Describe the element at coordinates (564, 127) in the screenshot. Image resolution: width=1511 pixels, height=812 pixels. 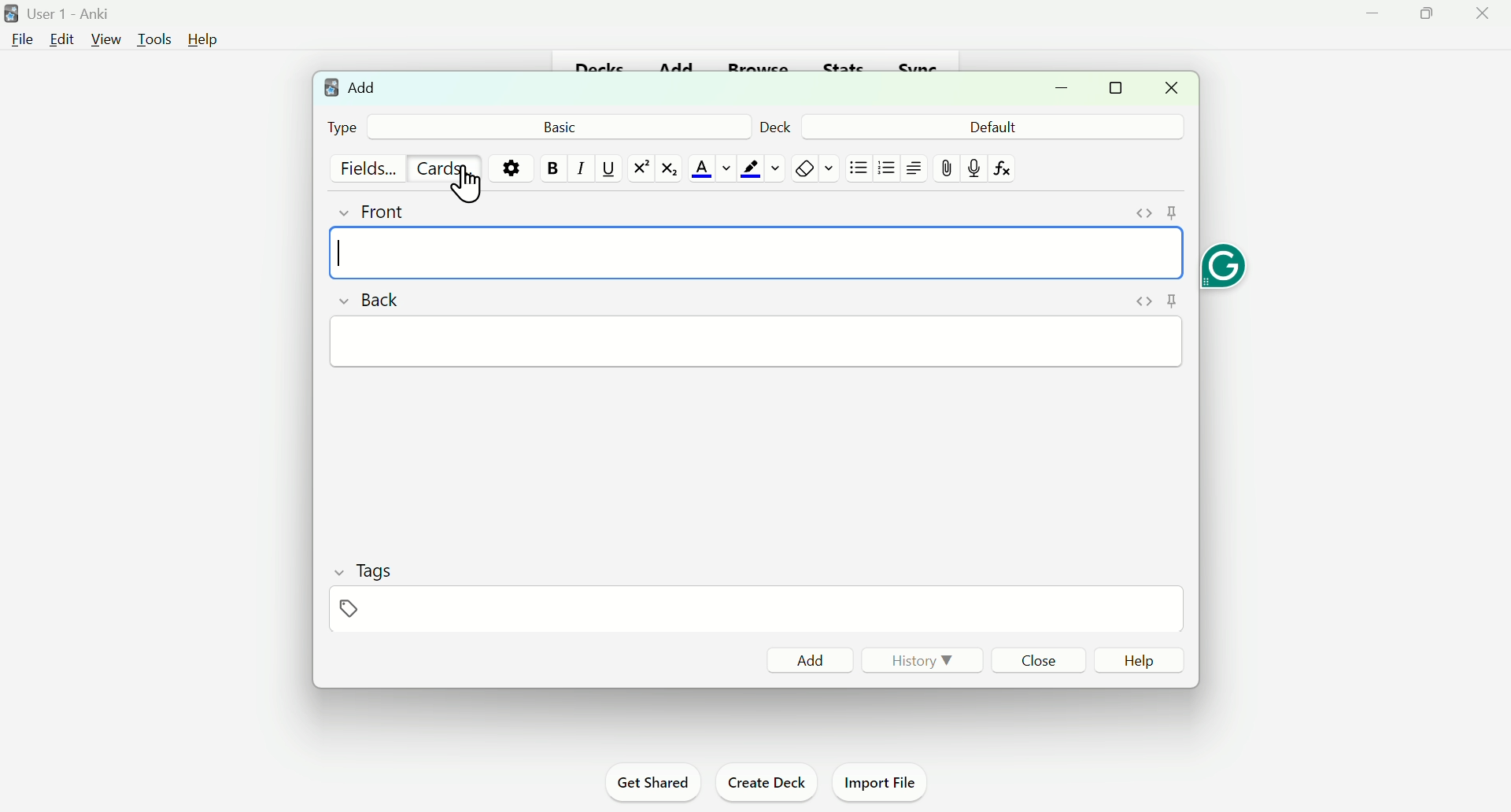
I see `bASIC` at that location.